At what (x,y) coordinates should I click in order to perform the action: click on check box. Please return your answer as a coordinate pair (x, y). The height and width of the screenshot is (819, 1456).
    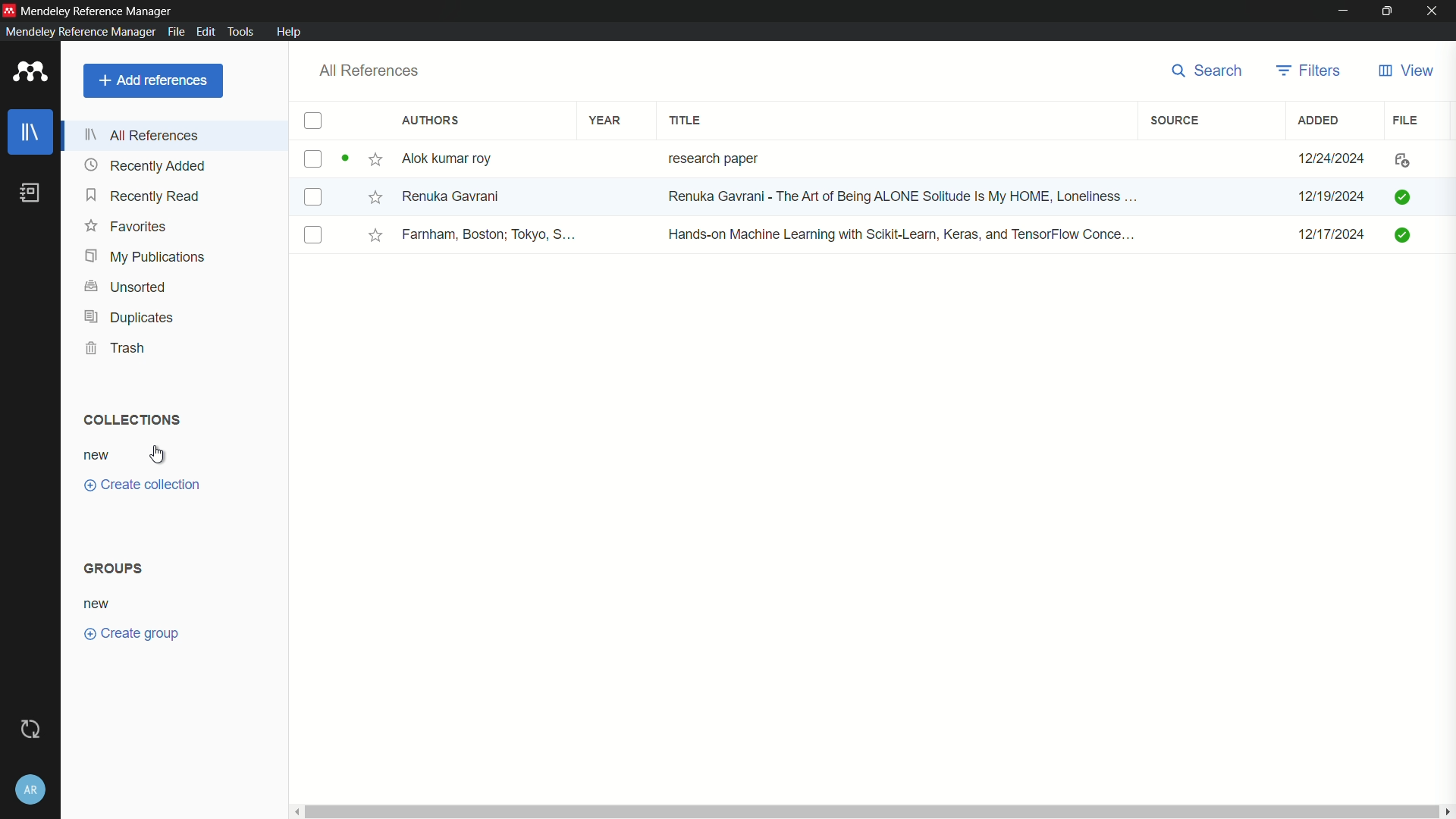
    Looking at the image, I should click on (315, 121).